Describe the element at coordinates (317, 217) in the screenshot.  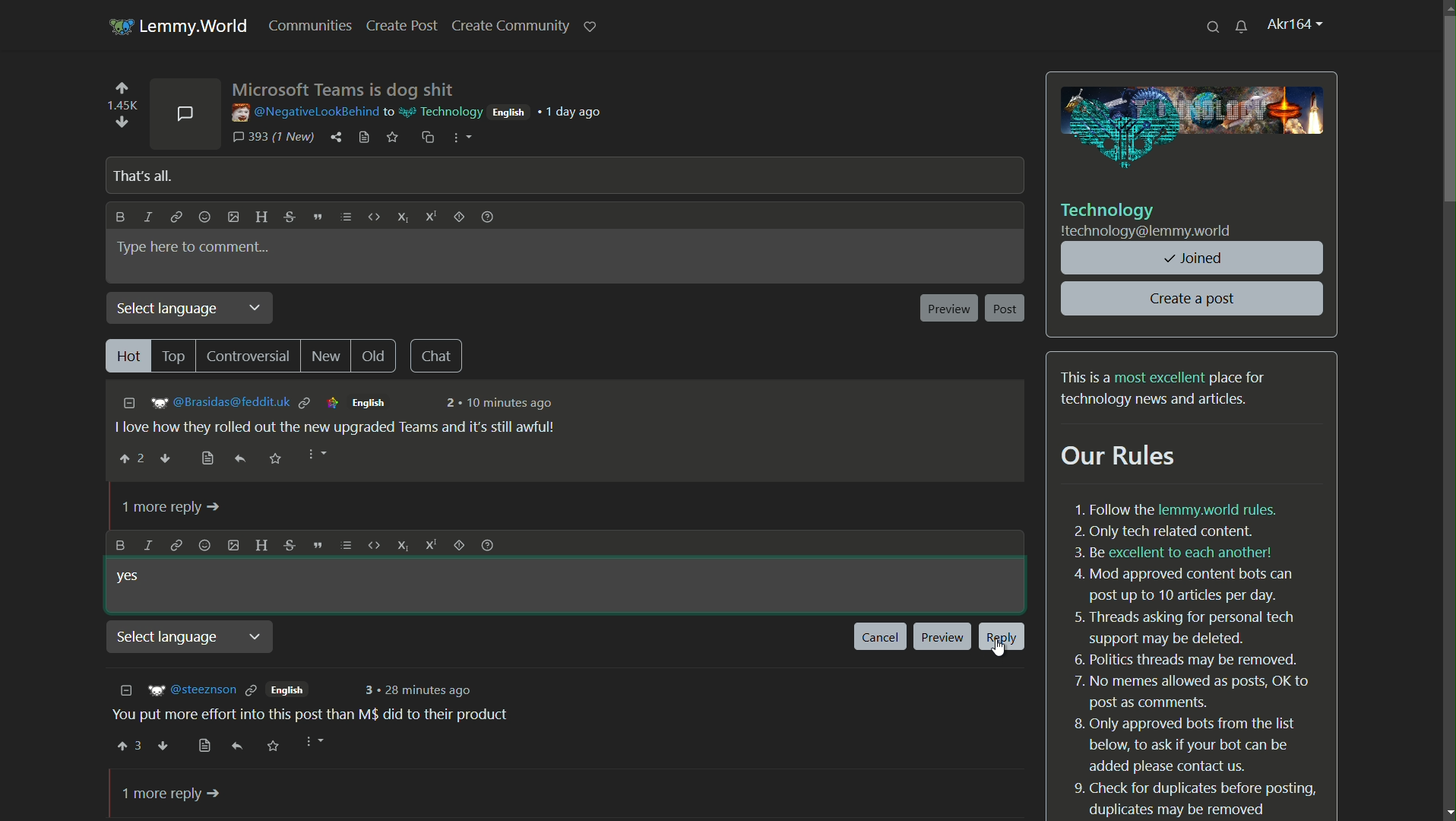
I see `quote` at that location.